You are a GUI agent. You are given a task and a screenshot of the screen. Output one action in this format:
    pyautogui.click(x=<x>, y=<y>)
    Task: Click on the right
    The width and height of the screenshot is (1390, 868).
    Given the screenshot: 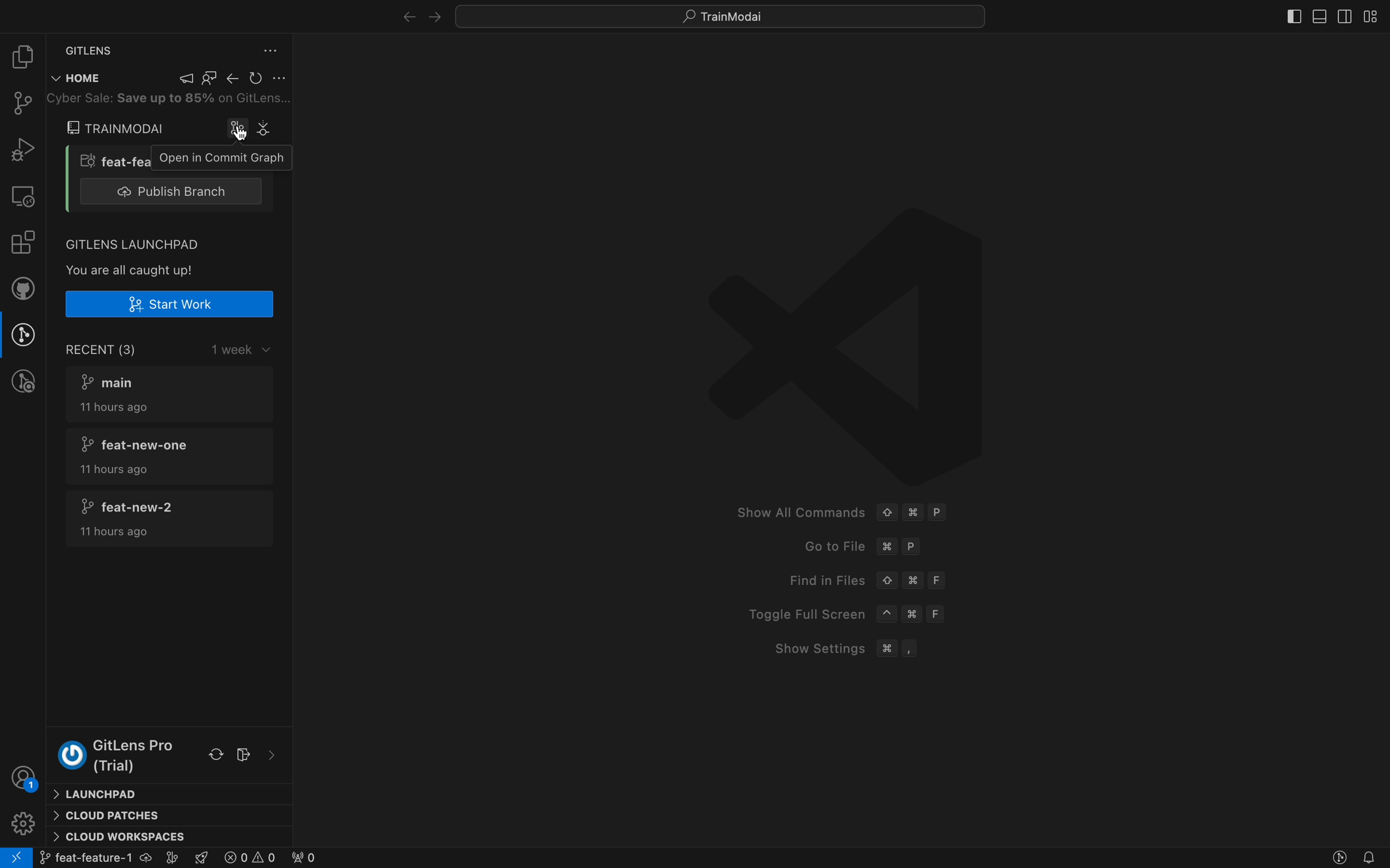 What is the action you would take?
    pyautogui.click(x=403, y=15)
    